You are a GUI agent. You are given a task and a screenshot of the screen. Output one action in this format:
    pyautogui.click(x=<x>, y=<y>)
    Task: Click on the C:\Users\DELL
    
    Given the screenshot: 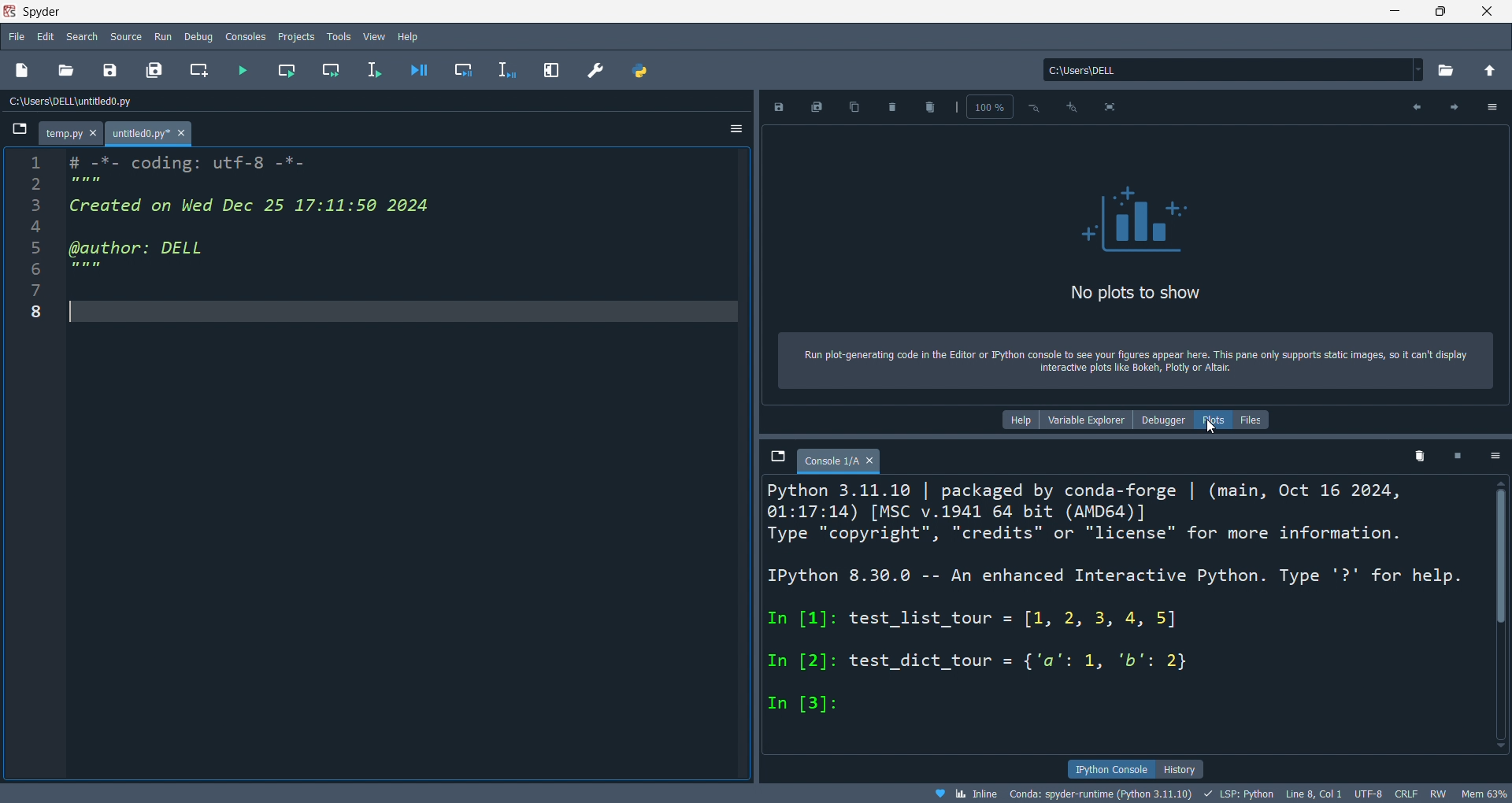 What is the action you would take?
    pyautogui.click(x=1232, y=70)
    